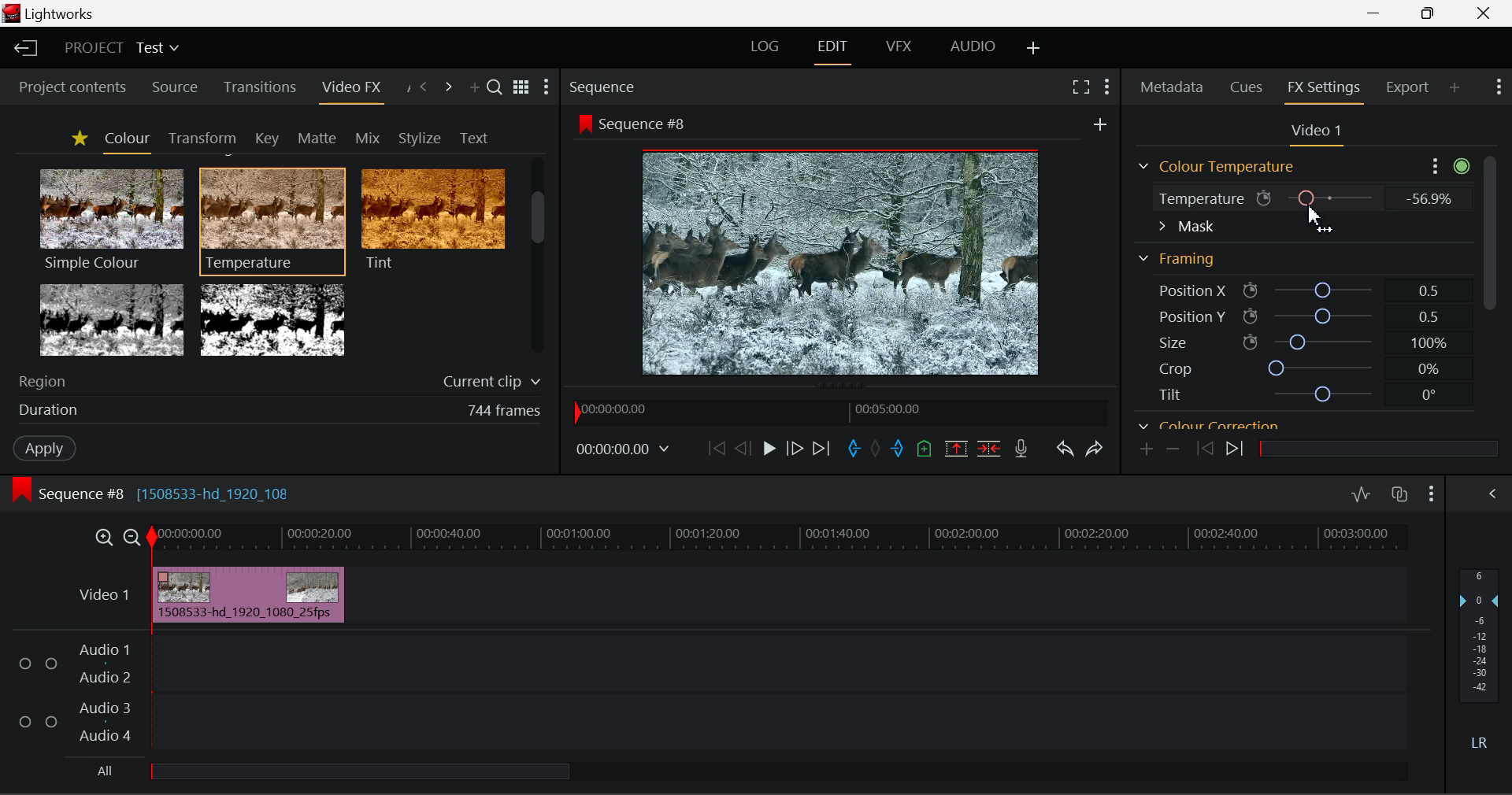  What do you see at coordinates (1427, 198) in the screenshot?
I see `0%` at bounding box center [1427, 198].